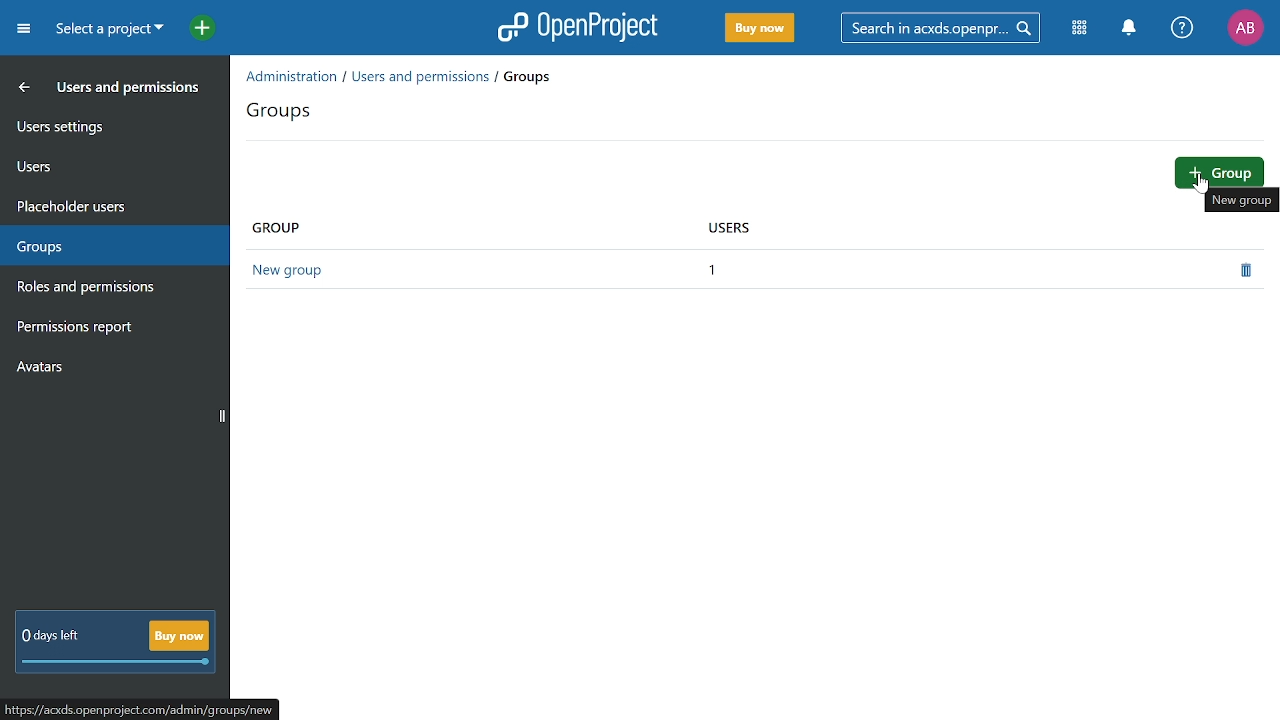  I want to click on Modules, so click(1081, 27).